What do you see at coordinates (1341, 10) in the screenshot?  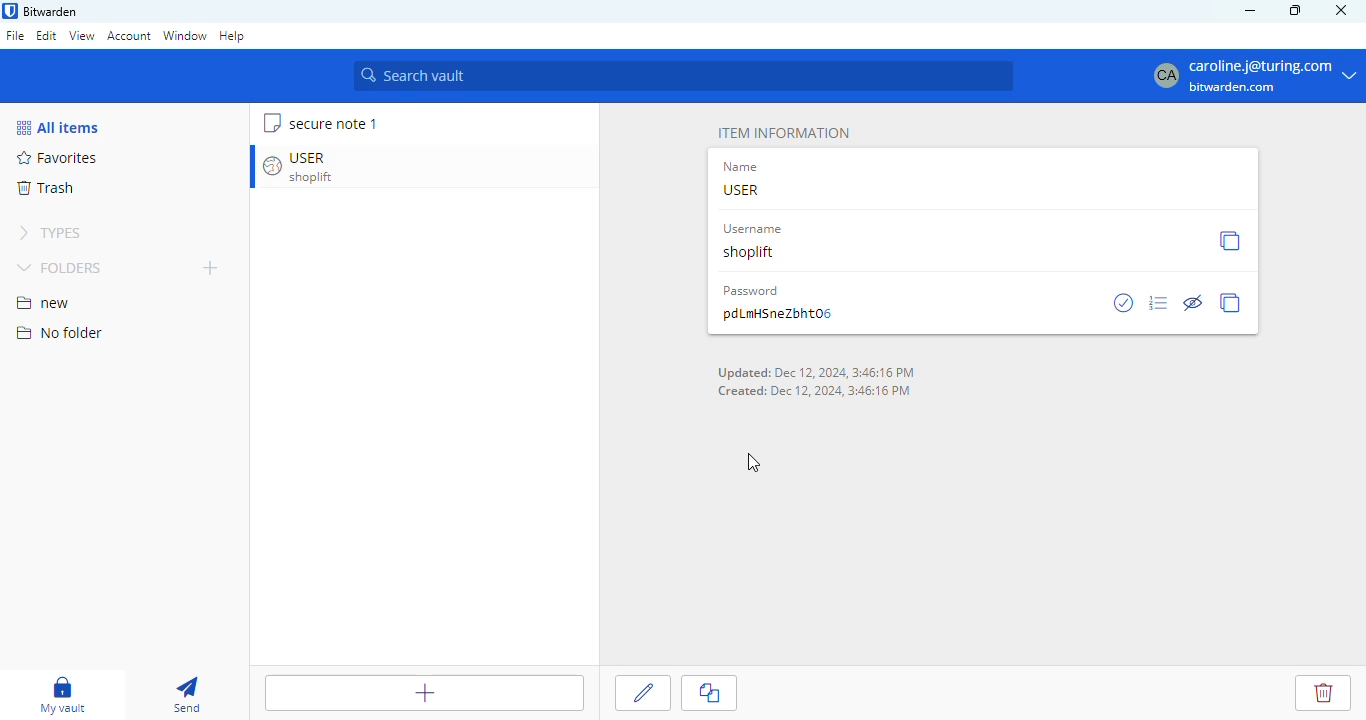 I see `close` at bounding box center [1341, 10].